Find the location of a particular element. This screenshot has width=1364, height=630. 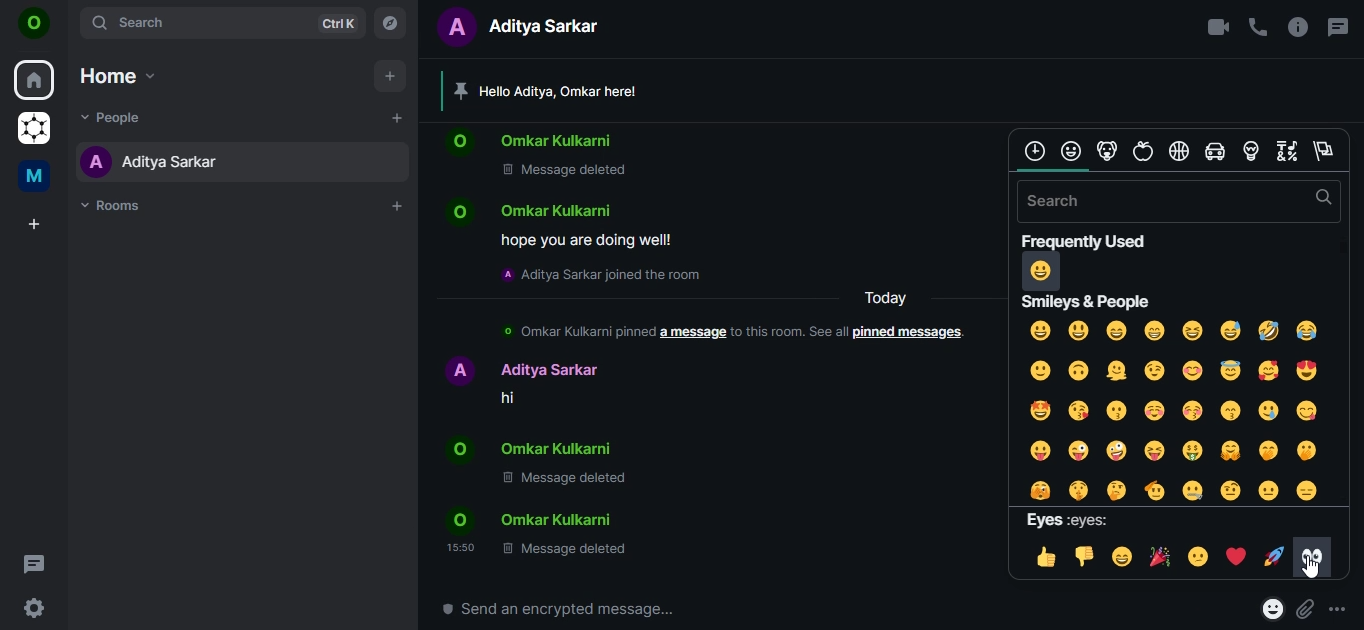

rooms is located at coordinates (116, 207).